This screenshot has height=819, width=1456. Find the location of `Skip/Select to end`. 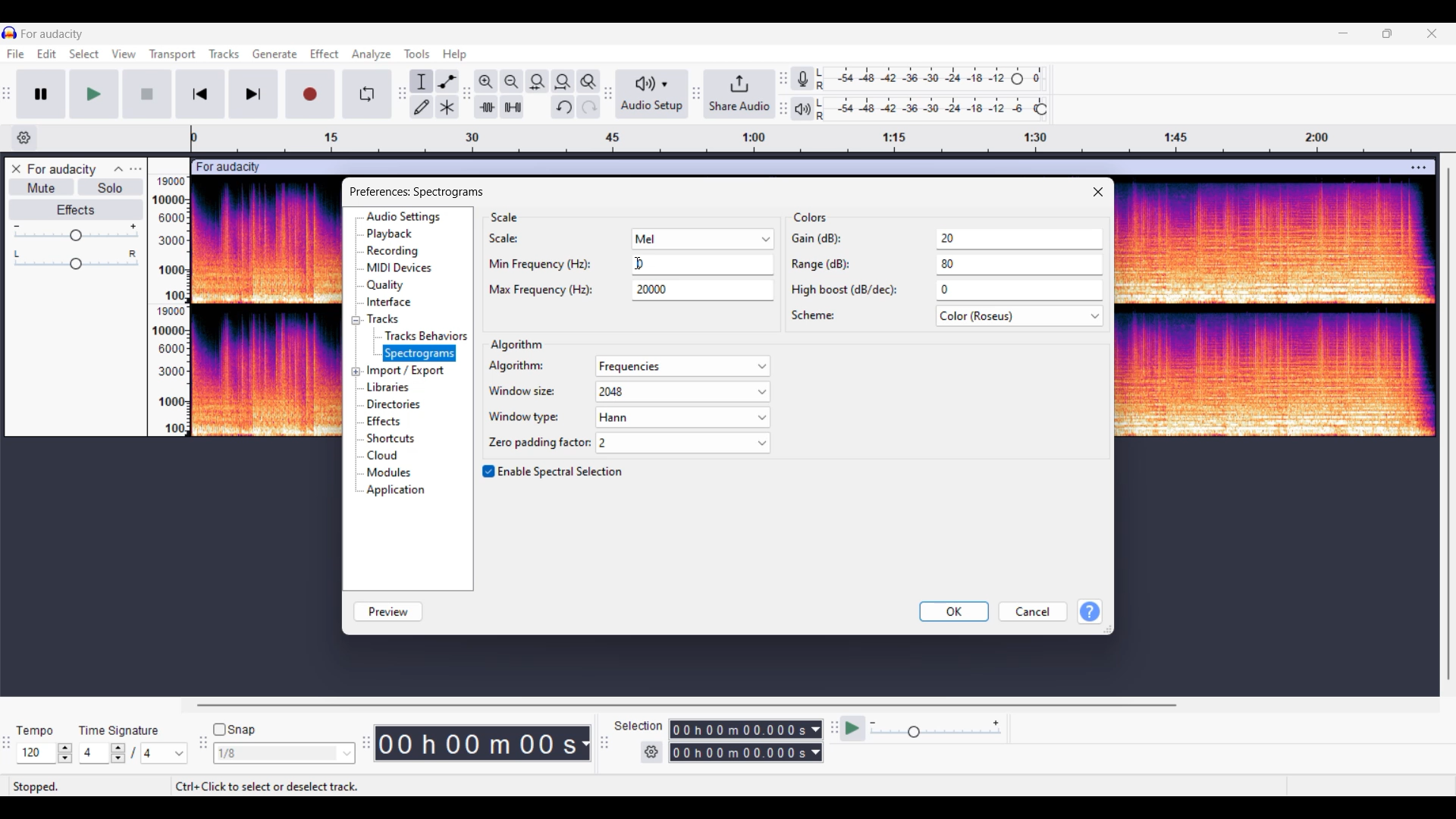

Skip/Select to end is located at coordinates (253, 94).